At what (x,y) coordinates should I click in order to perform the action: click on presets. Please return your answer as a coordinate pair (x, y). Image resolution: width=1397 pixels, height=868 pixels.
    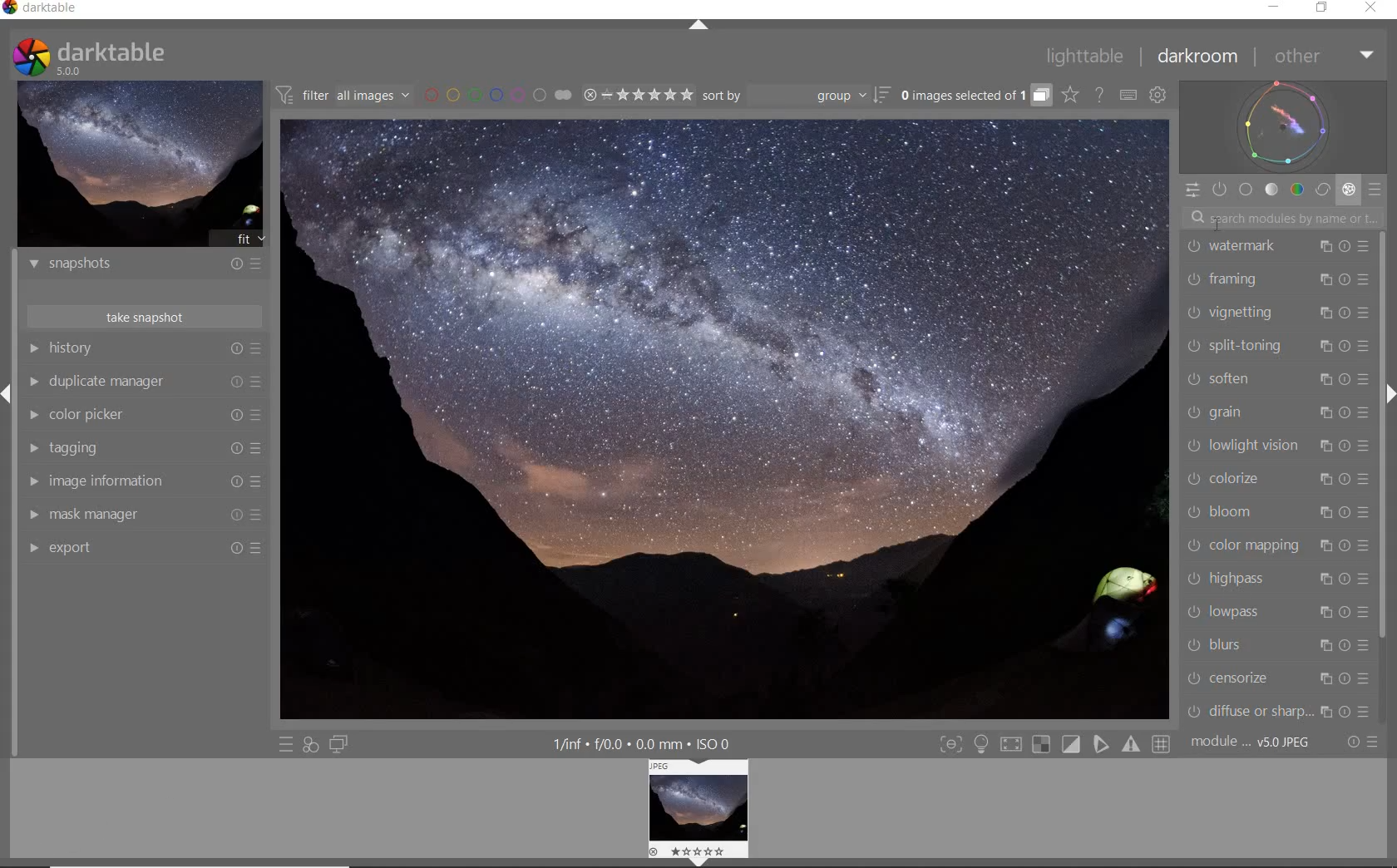
    Looking at the image, I should click on (1368, 713).